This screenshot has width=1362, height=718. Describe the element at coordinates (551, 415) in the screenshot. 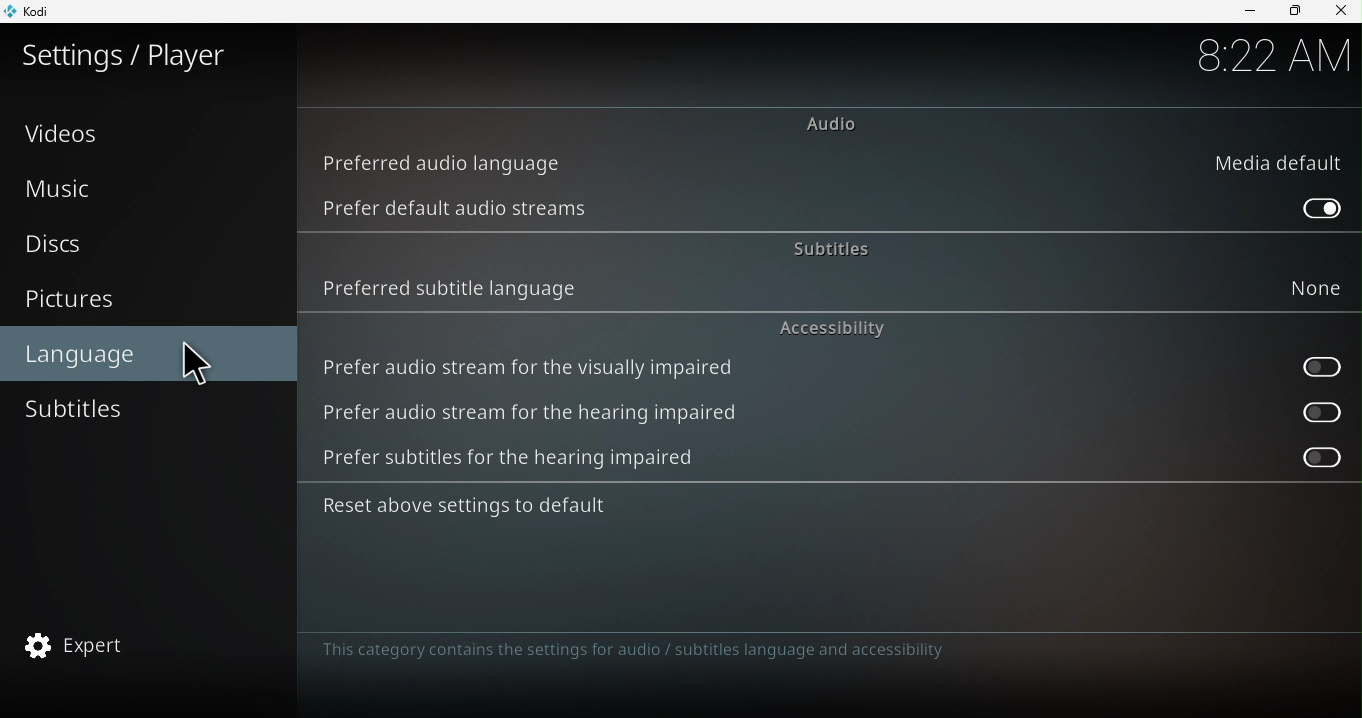

I see `Prefer audio stream for the hearing impaired` at that location.